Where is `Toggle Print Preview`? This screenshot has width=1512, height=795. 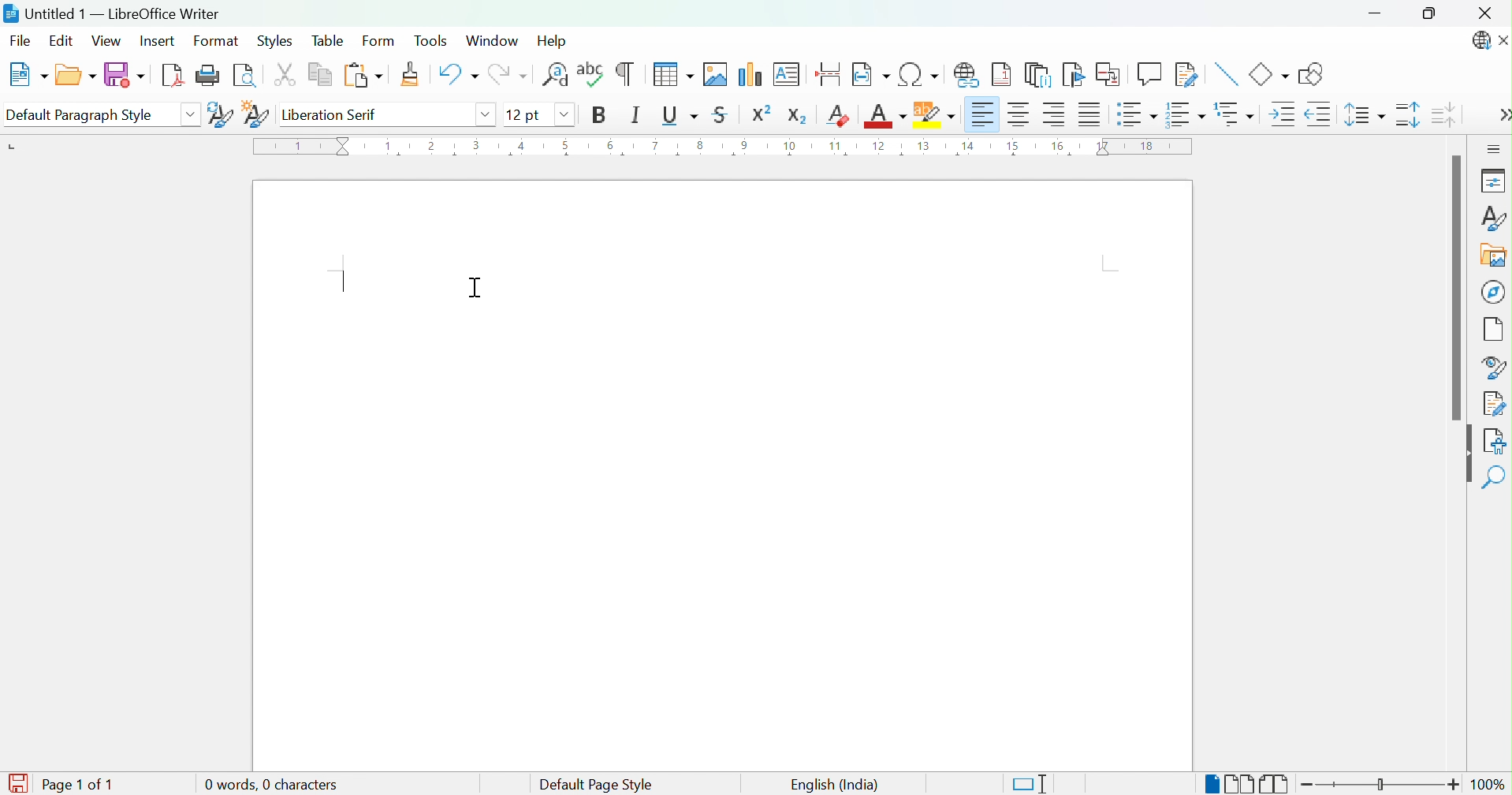
Toggle Print Preview is located at coordinates (248, 76).